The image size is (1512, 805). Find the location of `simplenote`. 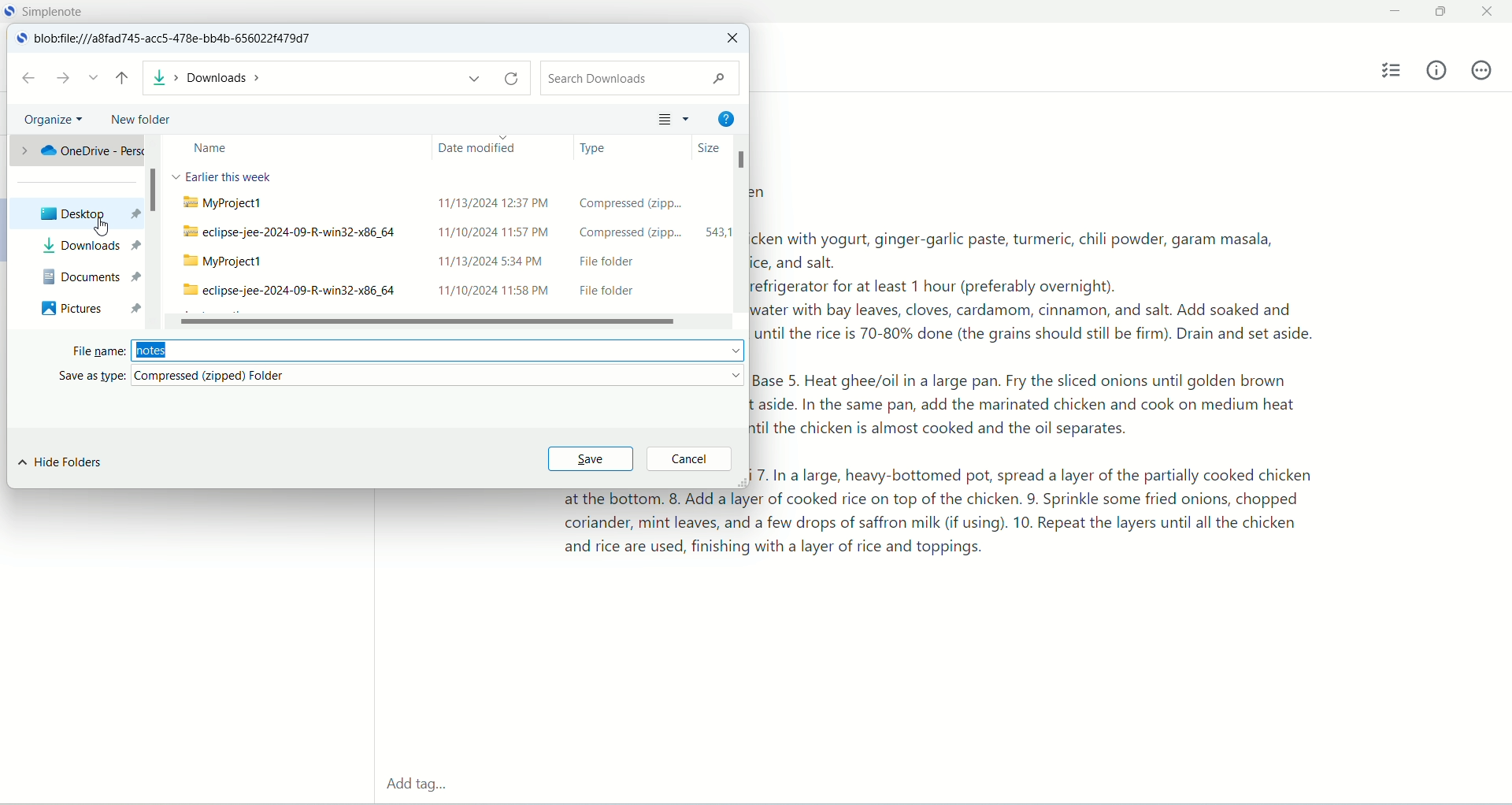

simplenote is located at coordinates (57, 11).